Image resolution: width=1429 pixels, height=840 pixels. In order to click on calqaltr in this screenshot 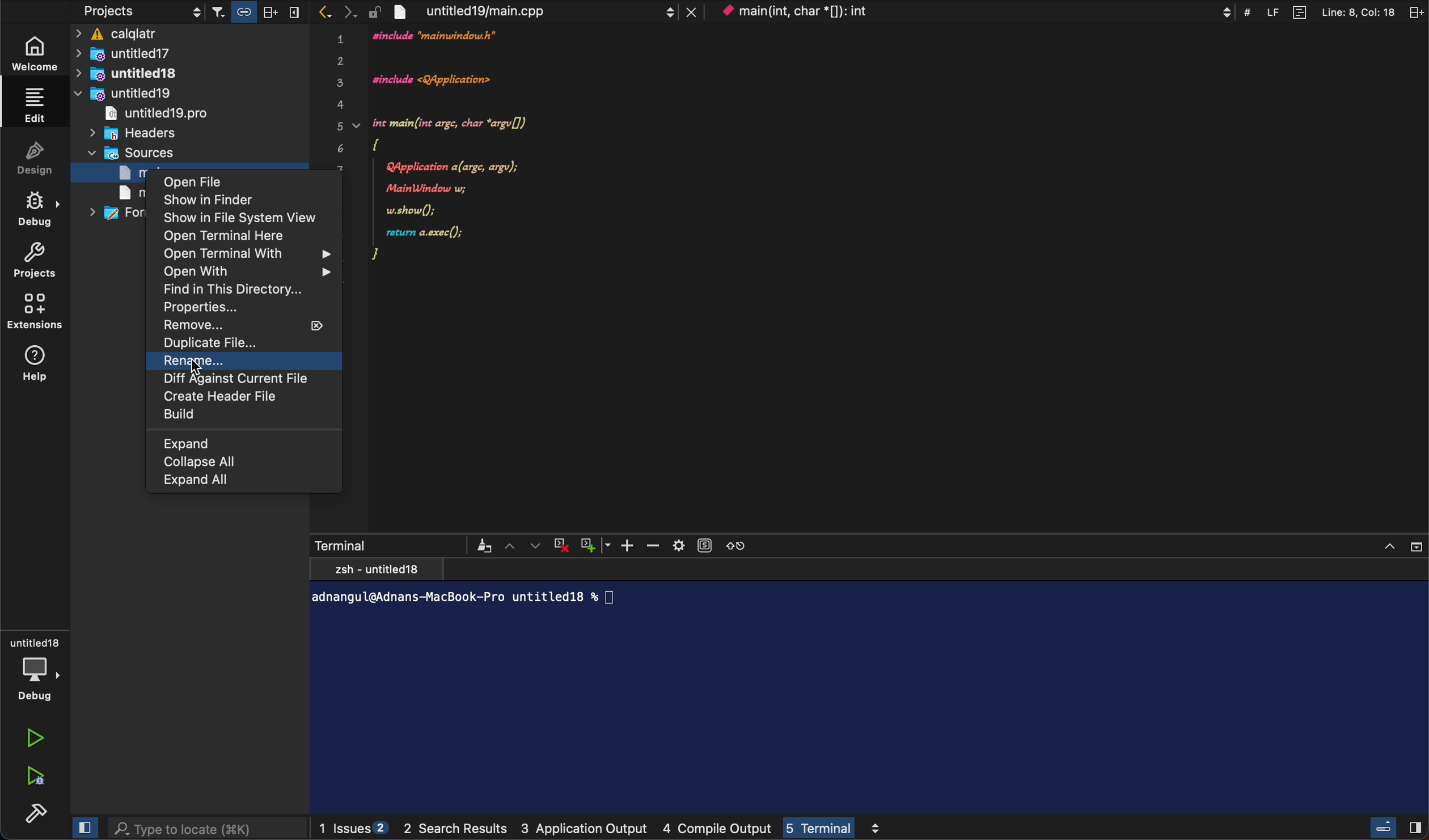, I will do `click(192, 35)`.